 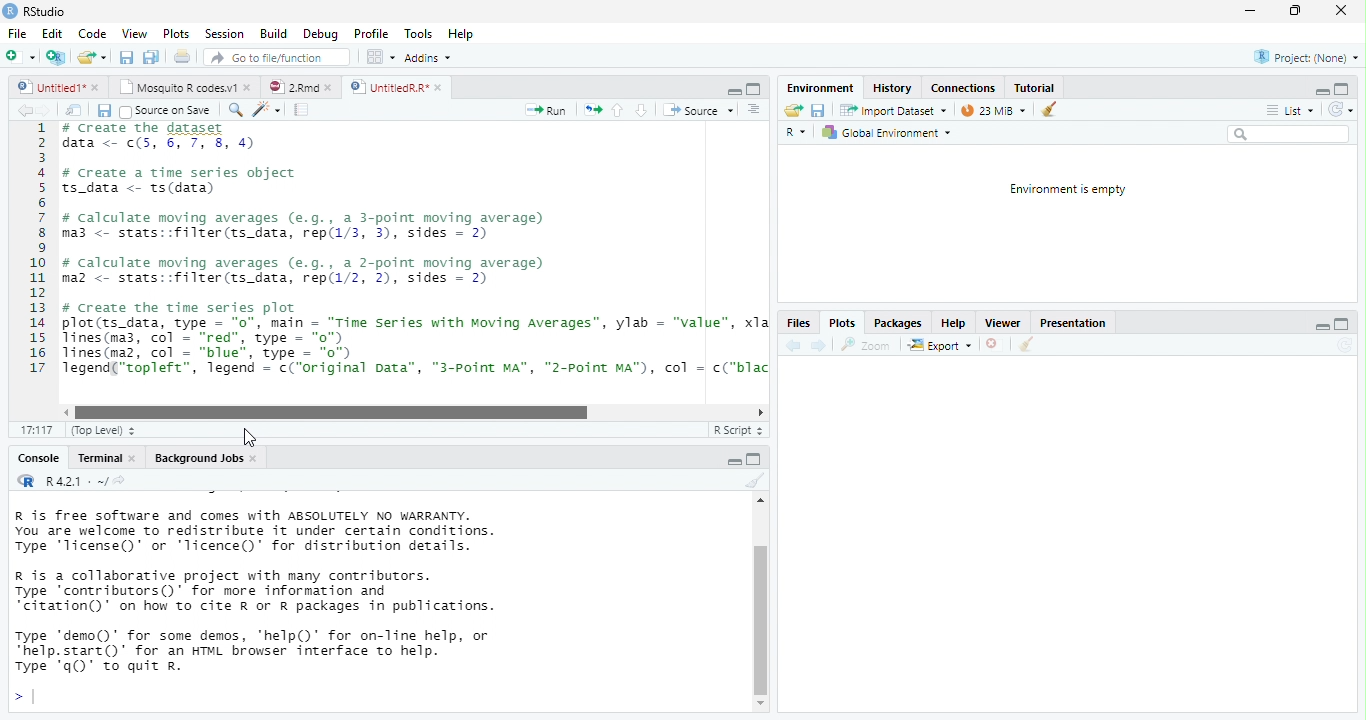 What do you see at coordinates (332, 88) in the screenshot?
I see `close` at bounding box center [332, 88].